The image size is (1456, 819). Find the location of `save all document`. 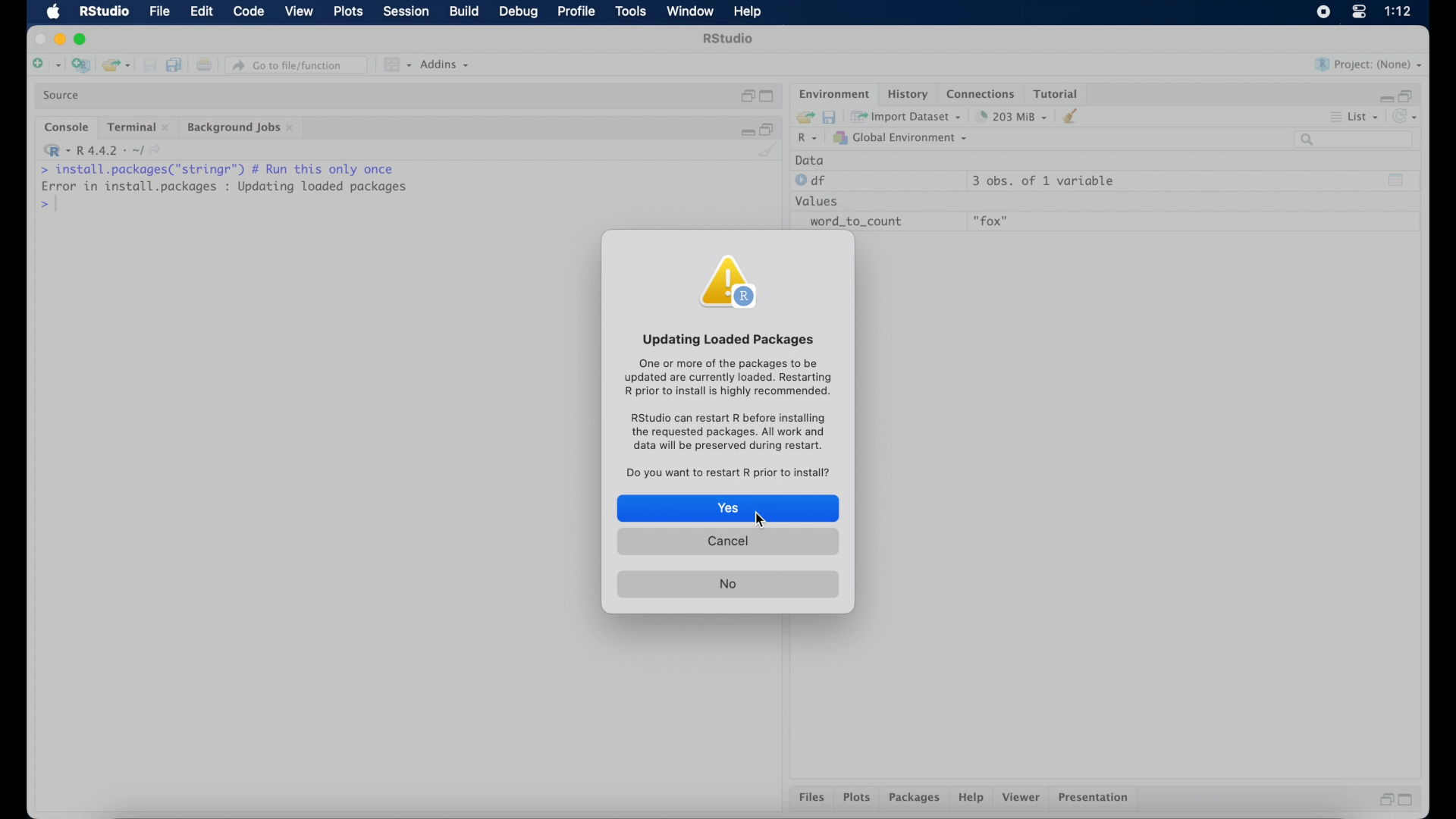

save all document is located at coordinates (177, 66).